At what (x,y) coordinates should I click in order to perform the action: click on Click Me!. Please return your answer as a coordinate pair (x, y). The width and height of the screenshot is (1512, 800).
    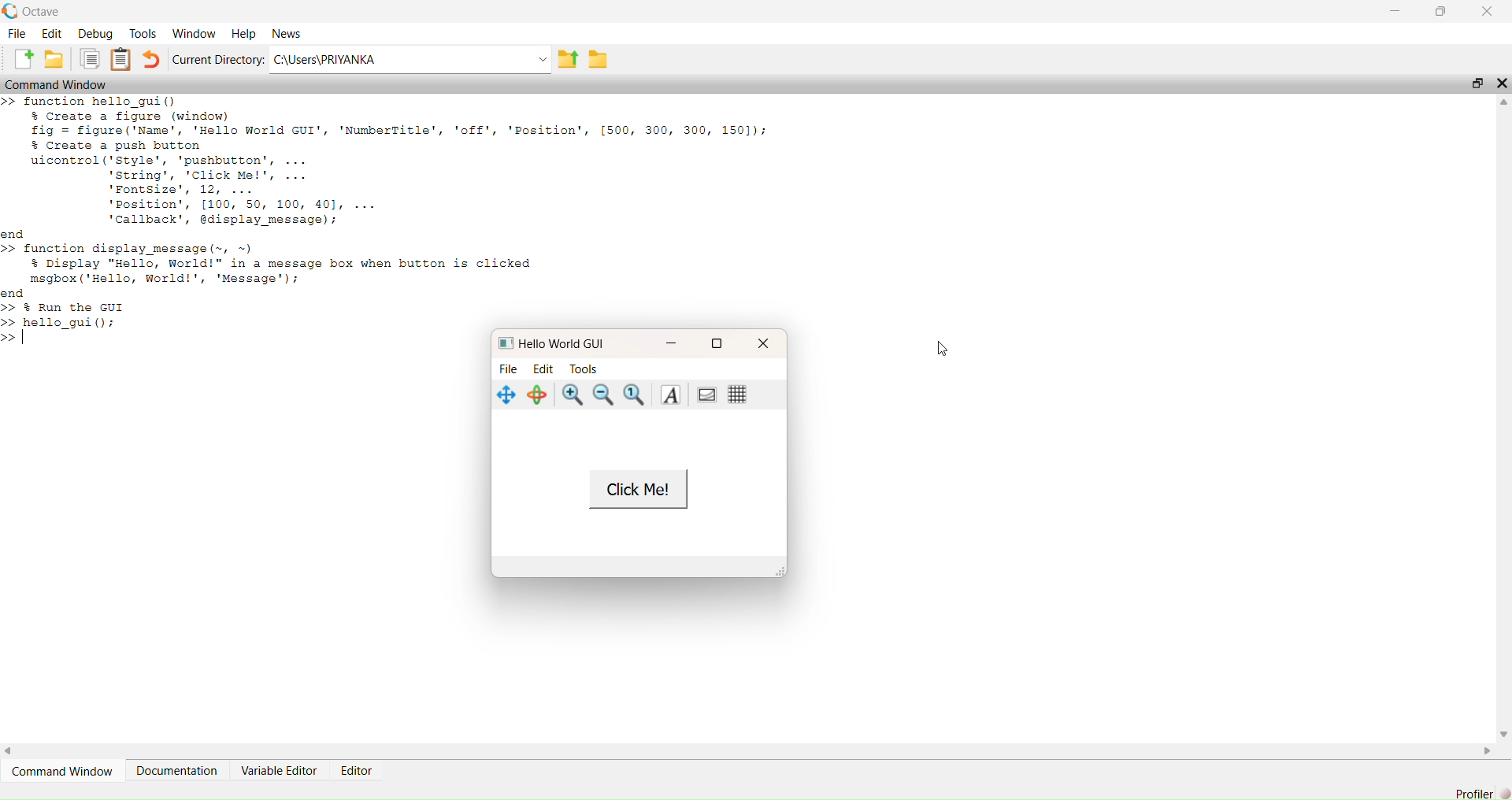
    Looking at the image, I should click on (637, 490).